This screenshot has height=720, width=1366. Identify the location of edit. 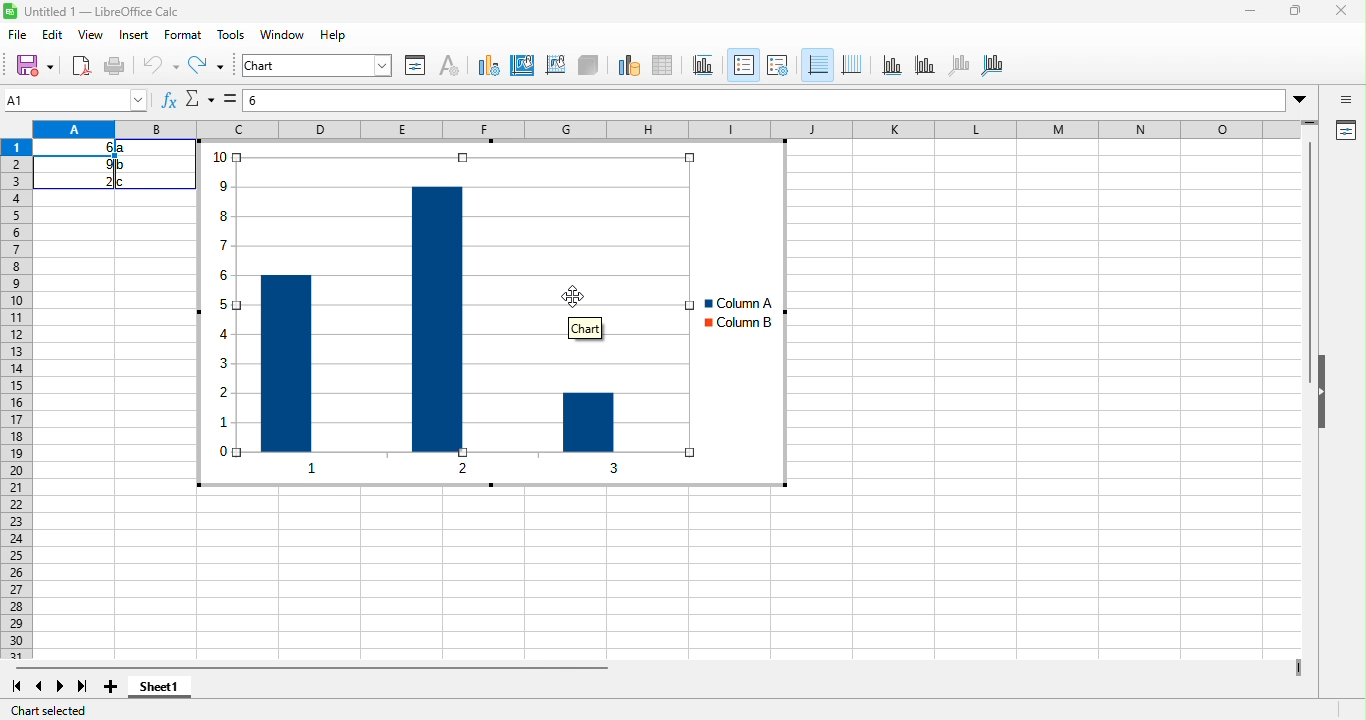
(55, 37).